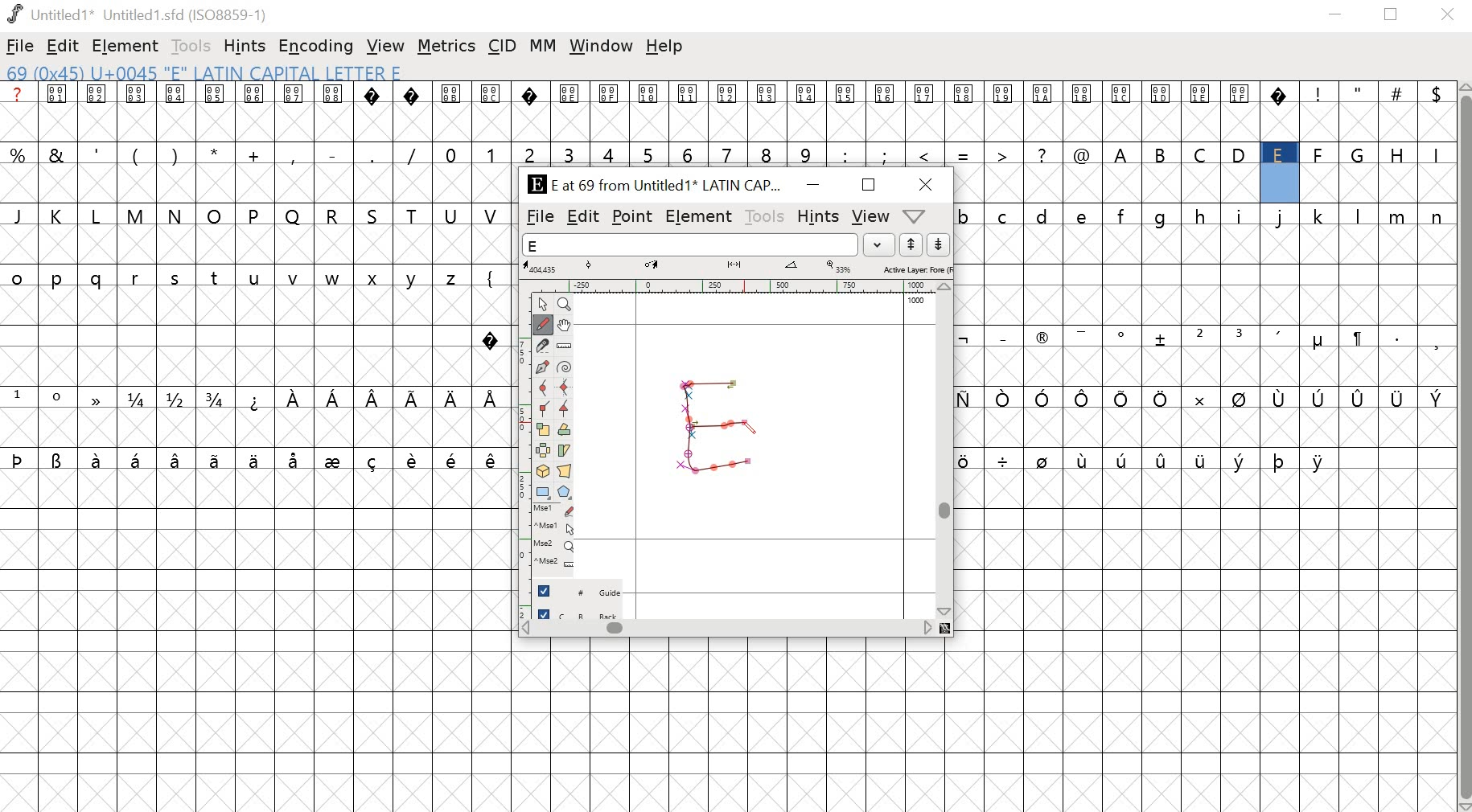 The height and width of the screenshot is (812, 1472). Describe the element at coordinates (1336, 17) in the screenshot. I see `minimize` at that location.